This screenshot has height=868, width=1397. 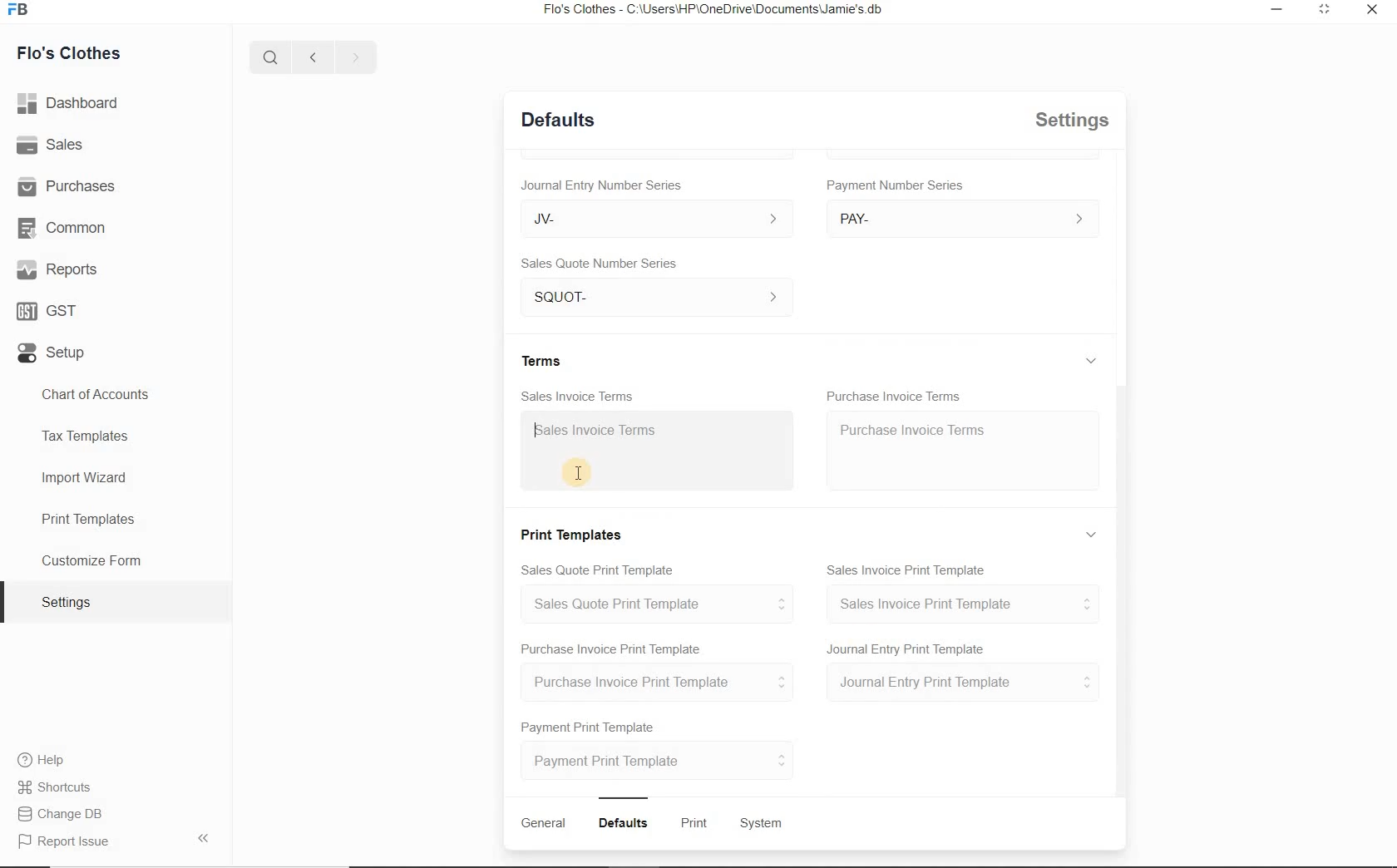 I want to click on Close, so click(x=1372, y=8).